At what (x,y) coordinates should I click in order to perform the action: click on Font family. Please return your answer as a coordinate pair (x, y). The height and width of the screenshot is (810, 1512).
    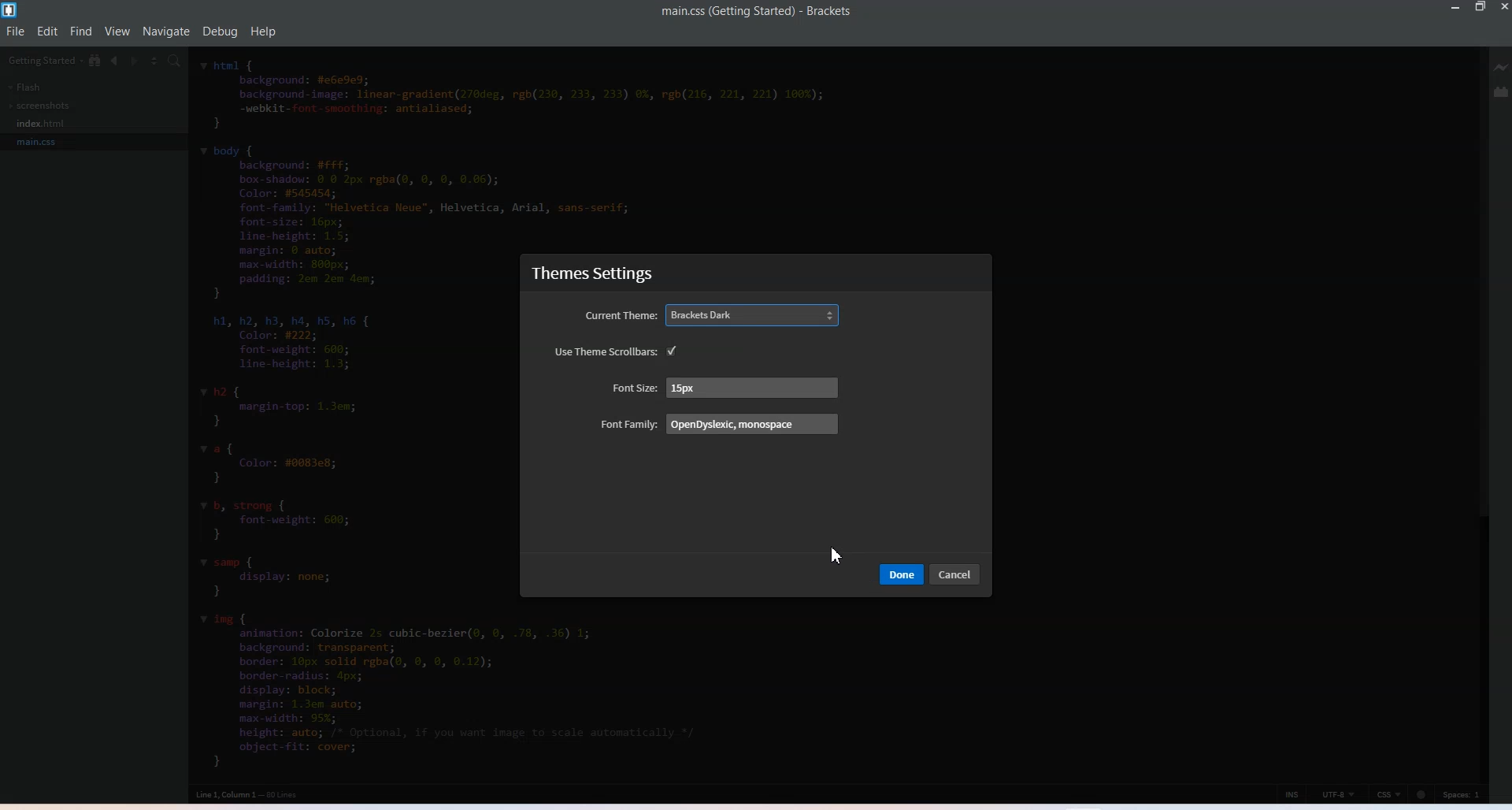
    Looking at the image, I should click on (628, 424).